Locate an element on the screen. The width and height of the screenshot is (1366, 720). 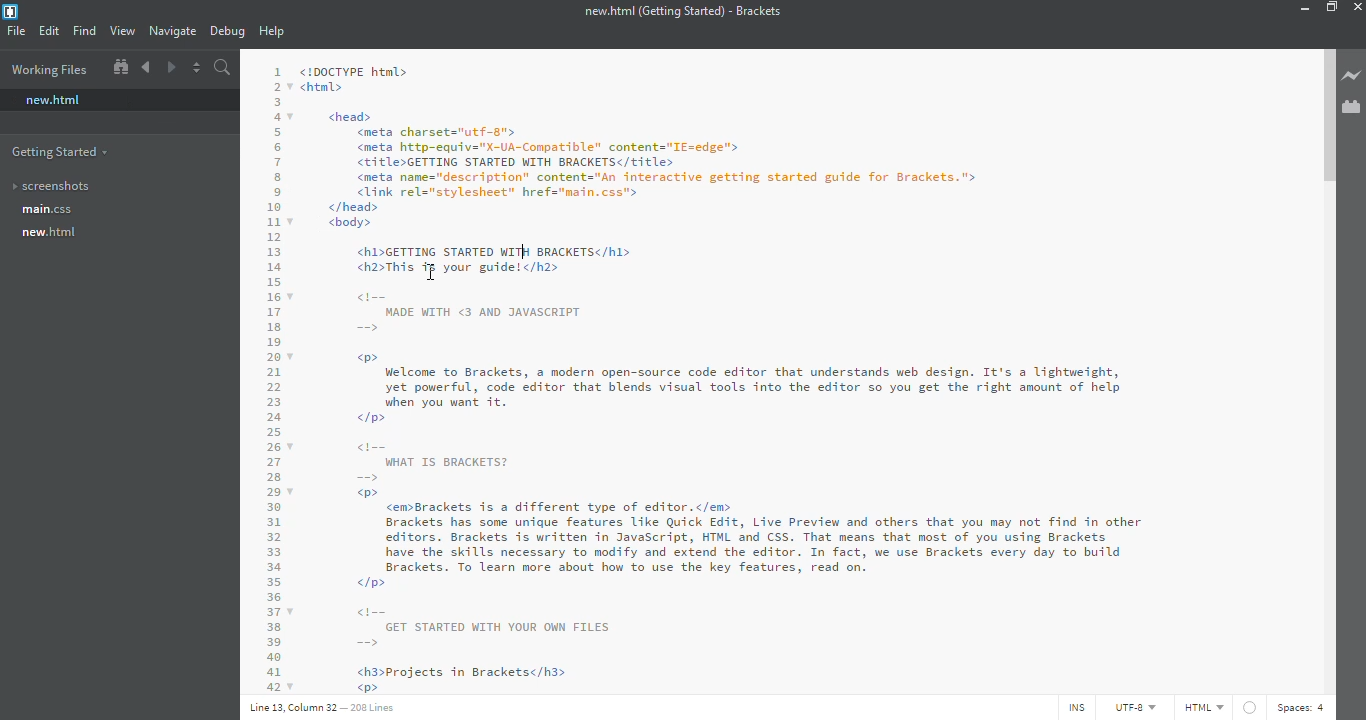
split editor is located at coordinates (196, 68).